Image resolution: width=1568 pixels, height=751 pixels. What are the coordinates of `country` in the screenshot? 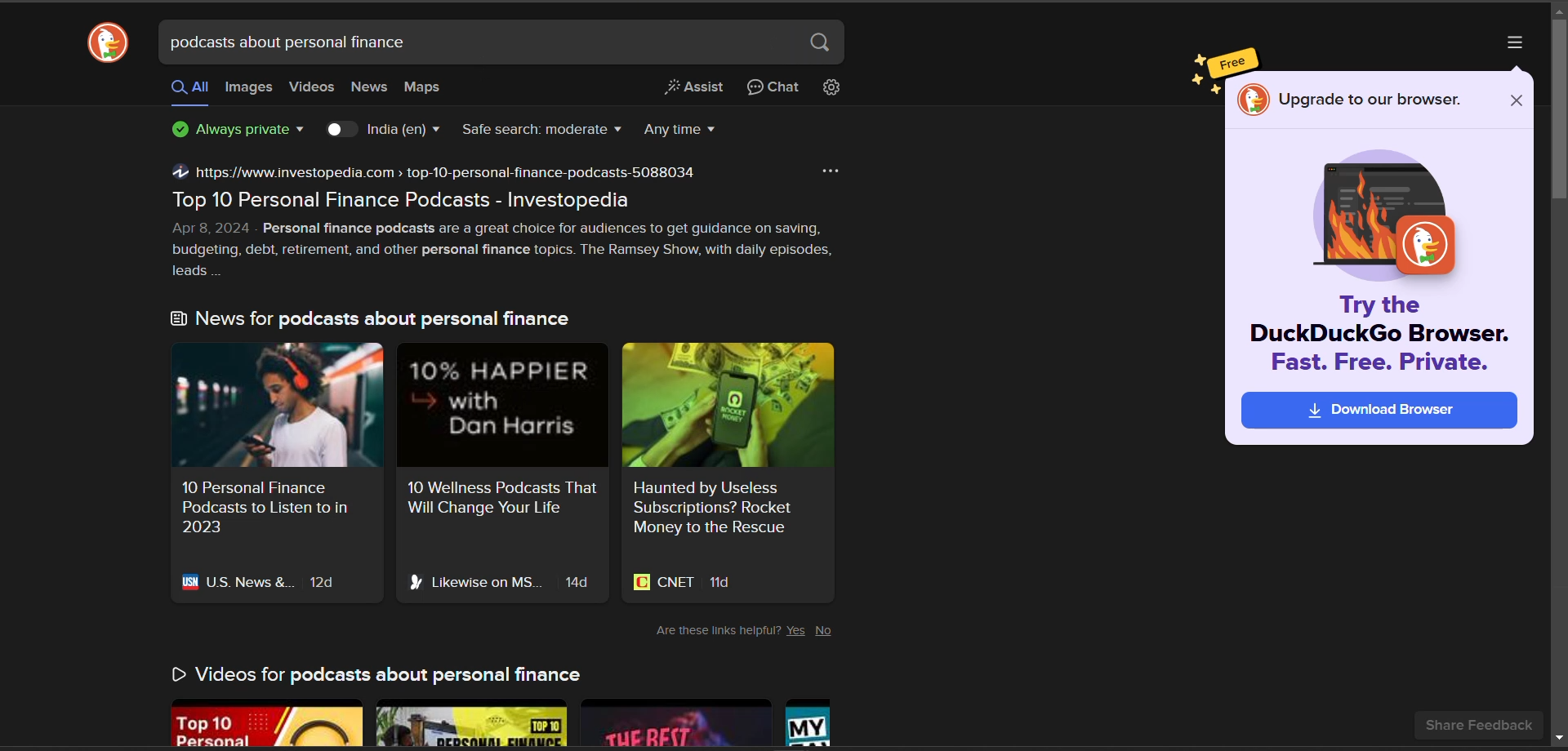 It's located at (406, 131).